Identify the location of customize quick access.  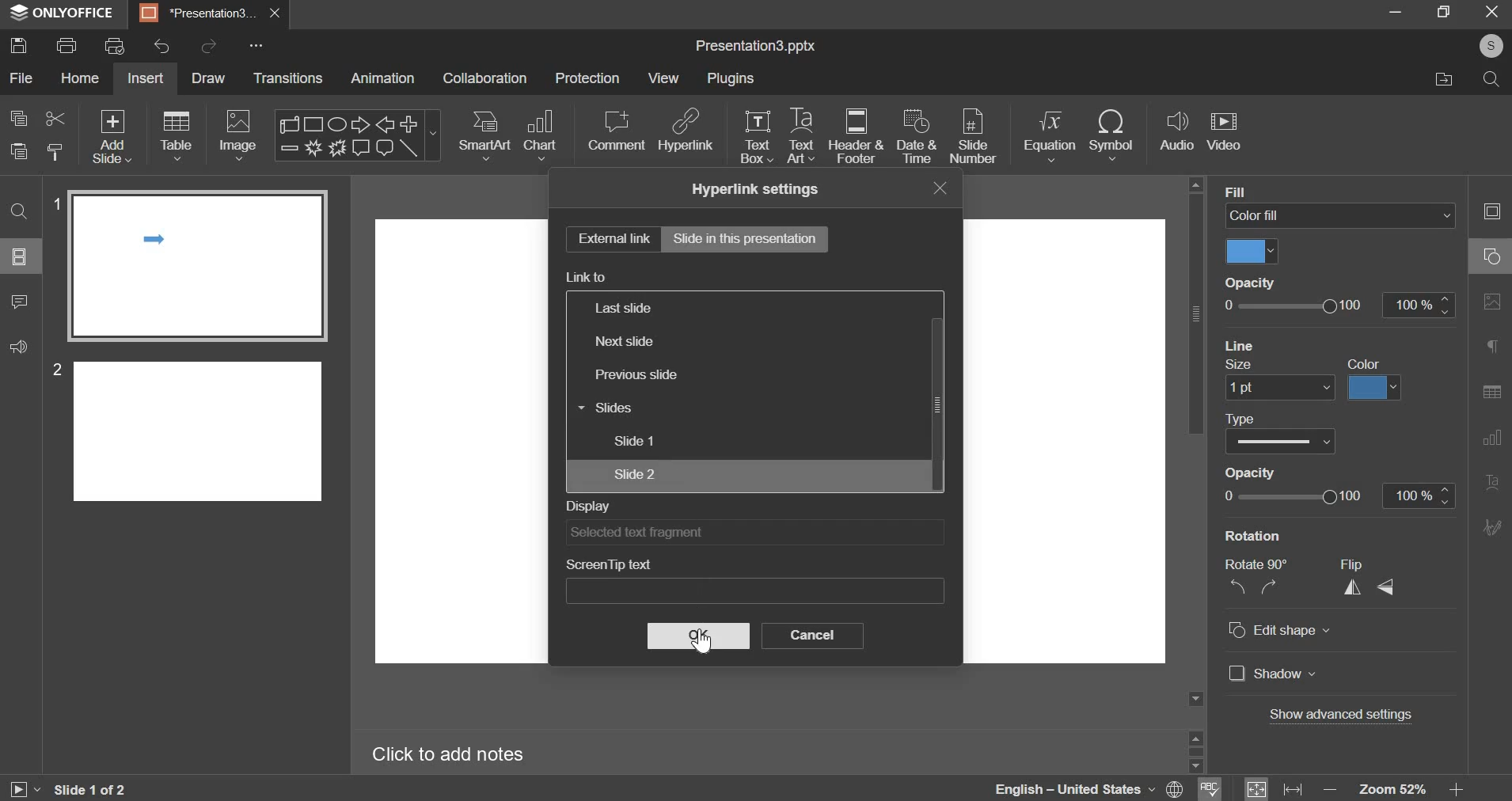
(256, 45).